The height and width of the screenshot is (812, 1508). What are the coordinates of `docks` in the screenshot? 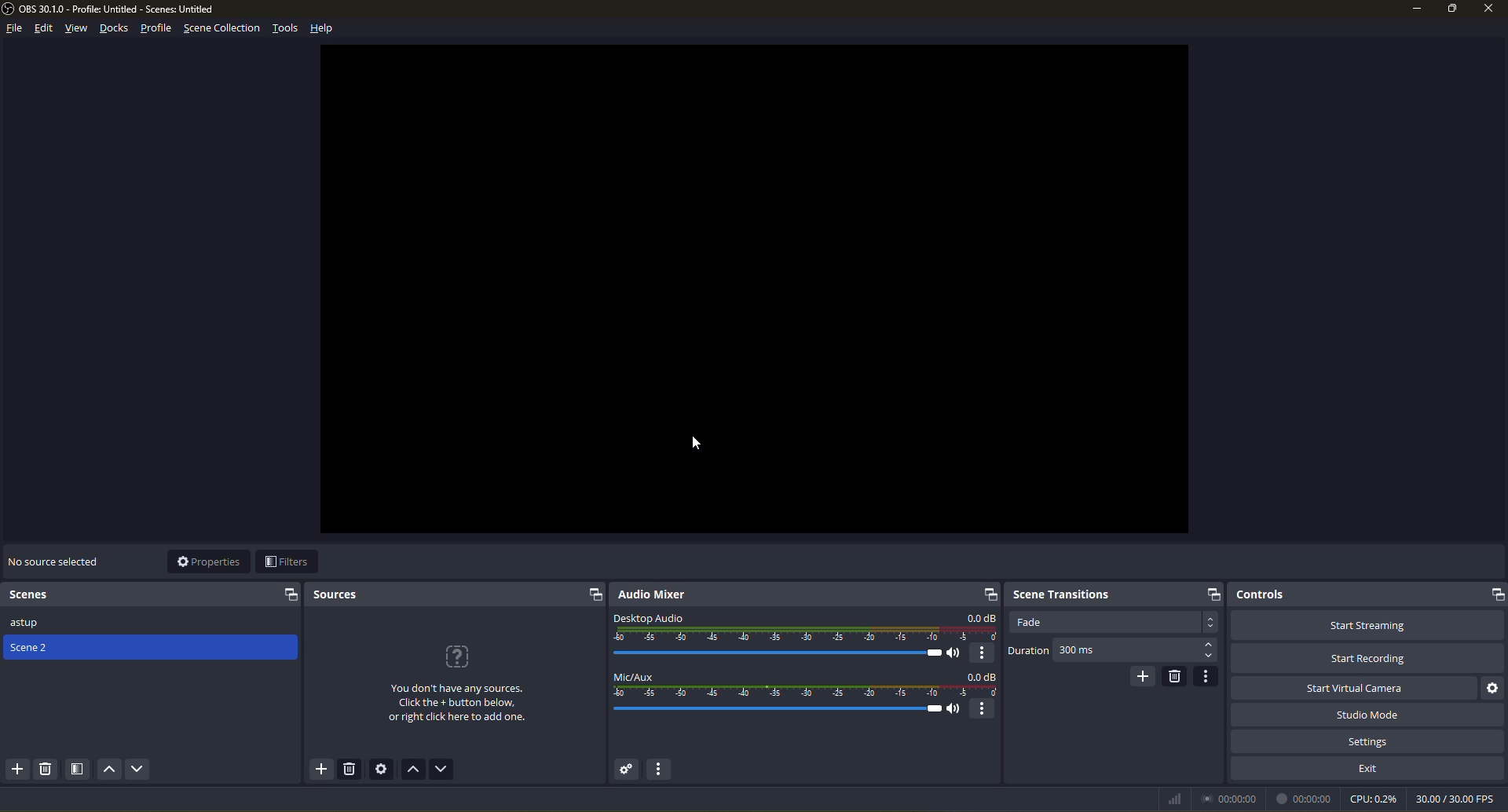 It's located at (114, 30).